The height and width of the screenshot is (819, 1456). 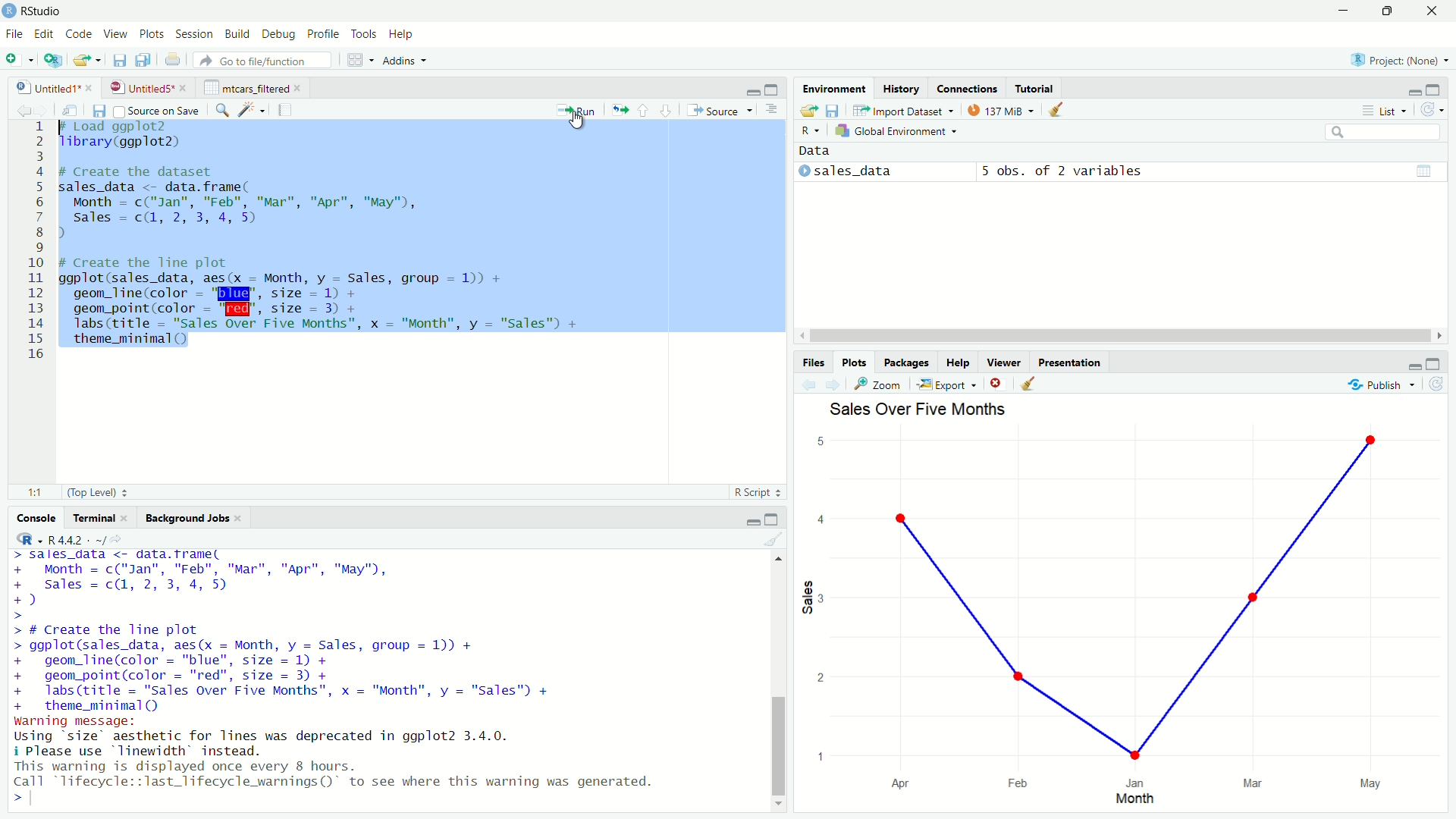 What do you see at coordinates (185, 88) in the screenshot?
I see `close` at bounding box center [185, 88].